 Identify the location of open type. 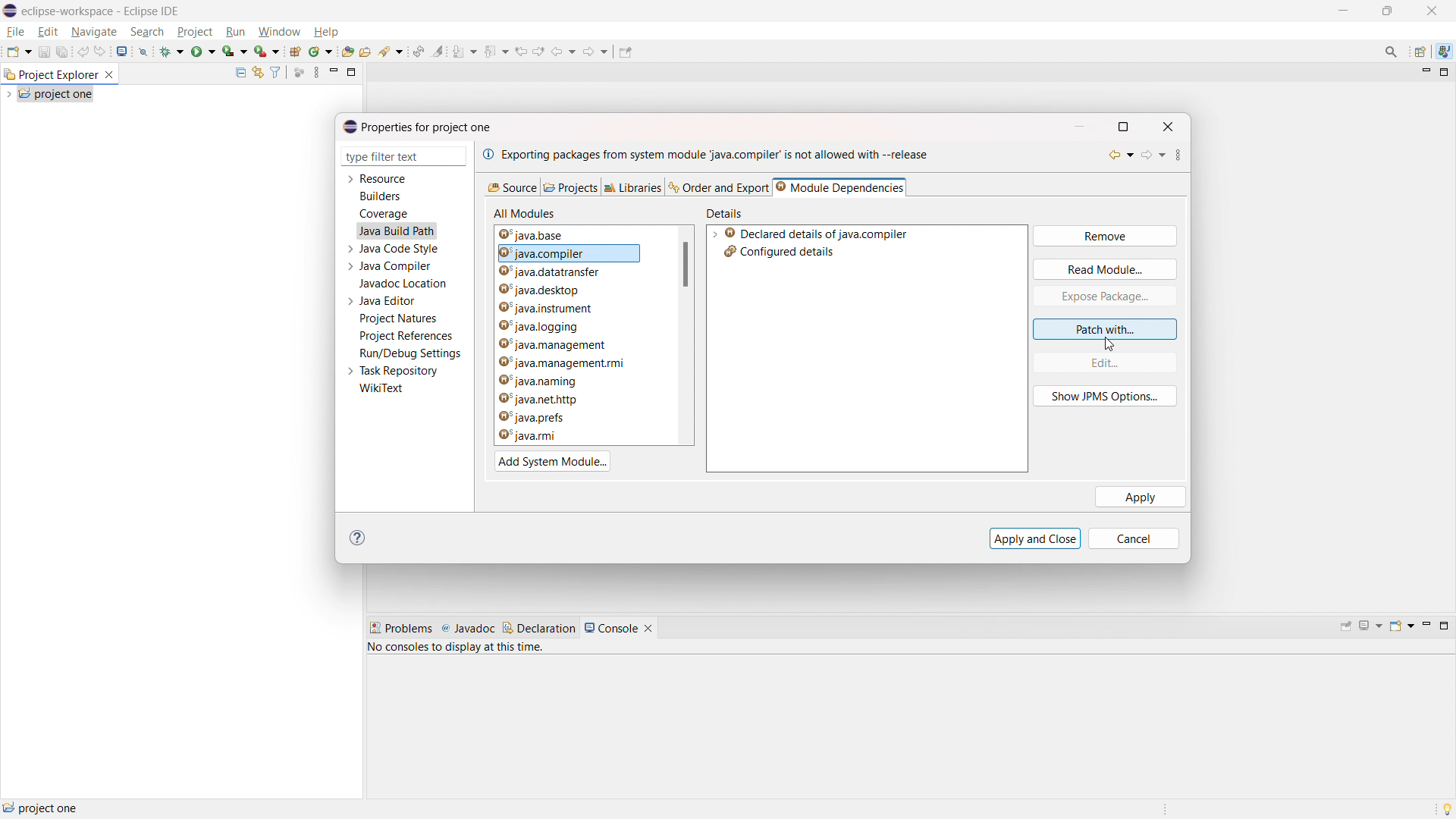
(348, 51).